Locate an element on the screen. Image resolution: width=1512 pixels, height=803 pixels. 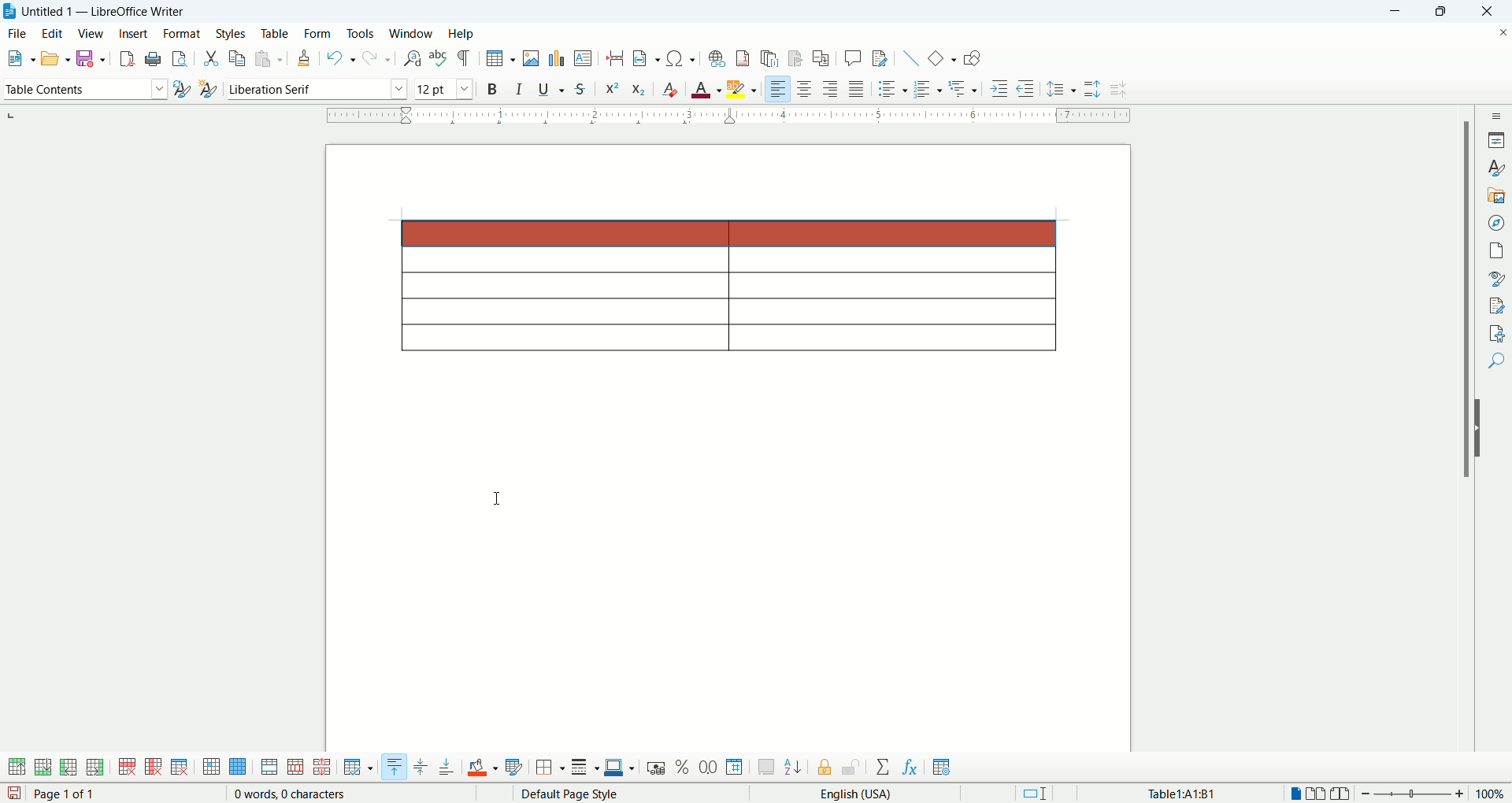
justified is located at coordinates (857, 88).